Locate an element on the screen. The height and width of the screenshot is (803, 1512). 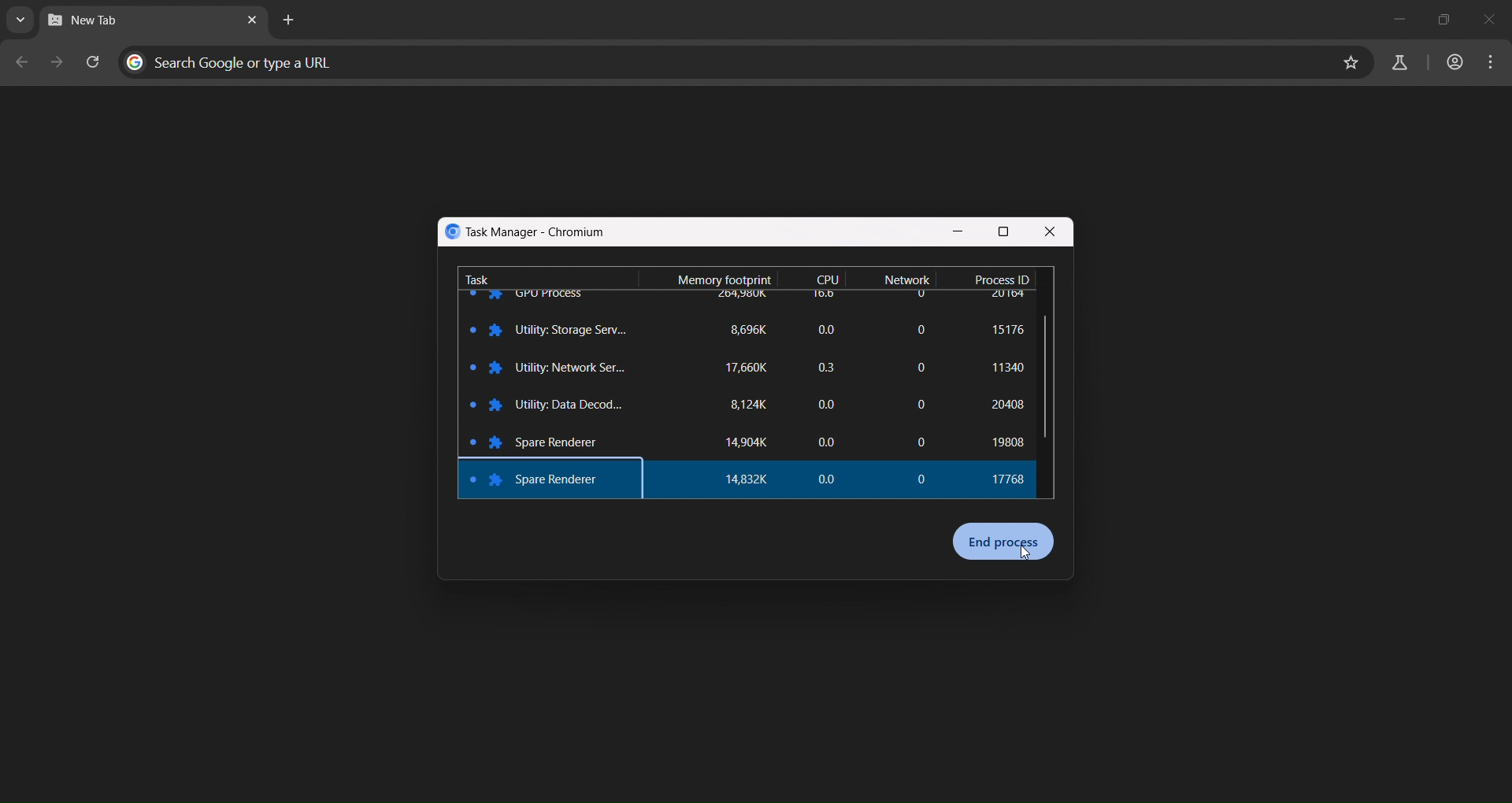
task manager  is located at coordinates (528, 231).